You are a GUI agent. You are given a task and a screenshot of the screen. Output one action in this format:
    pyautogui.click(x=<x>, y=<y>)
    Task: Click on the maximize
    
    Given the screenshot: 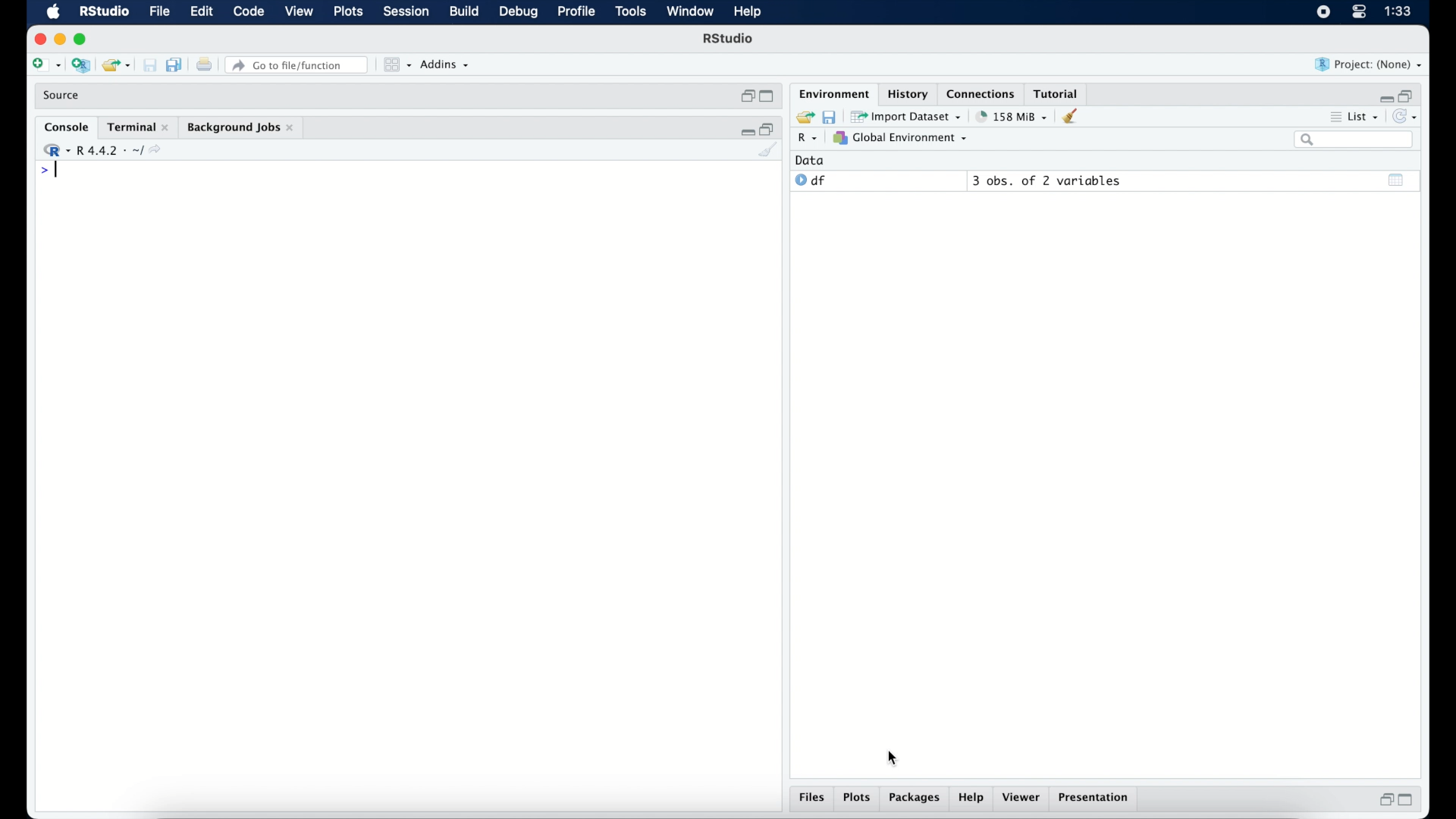 What is the action you would take?
    pyautogui.click(x=82, y=39)
    